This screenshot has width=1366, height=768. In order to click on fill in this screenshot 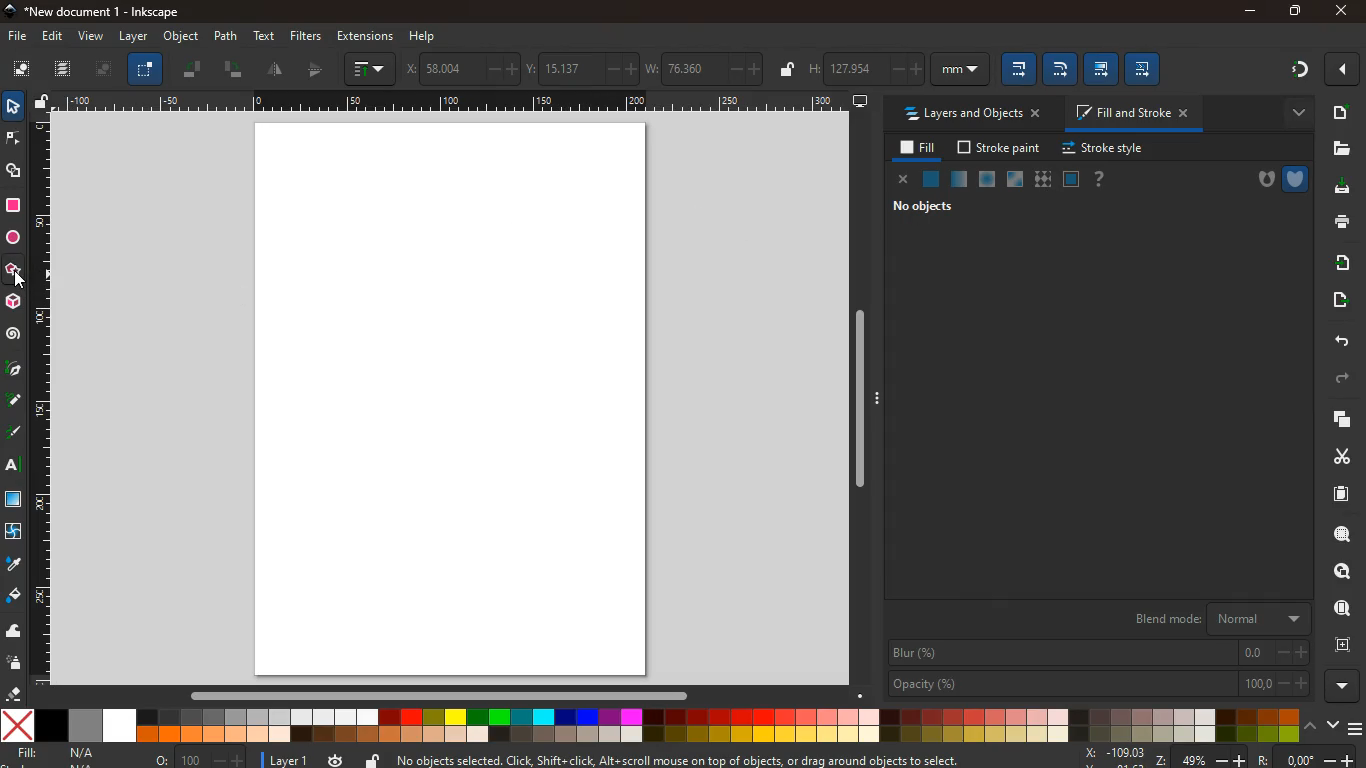, I will do `click(55, 753)`.